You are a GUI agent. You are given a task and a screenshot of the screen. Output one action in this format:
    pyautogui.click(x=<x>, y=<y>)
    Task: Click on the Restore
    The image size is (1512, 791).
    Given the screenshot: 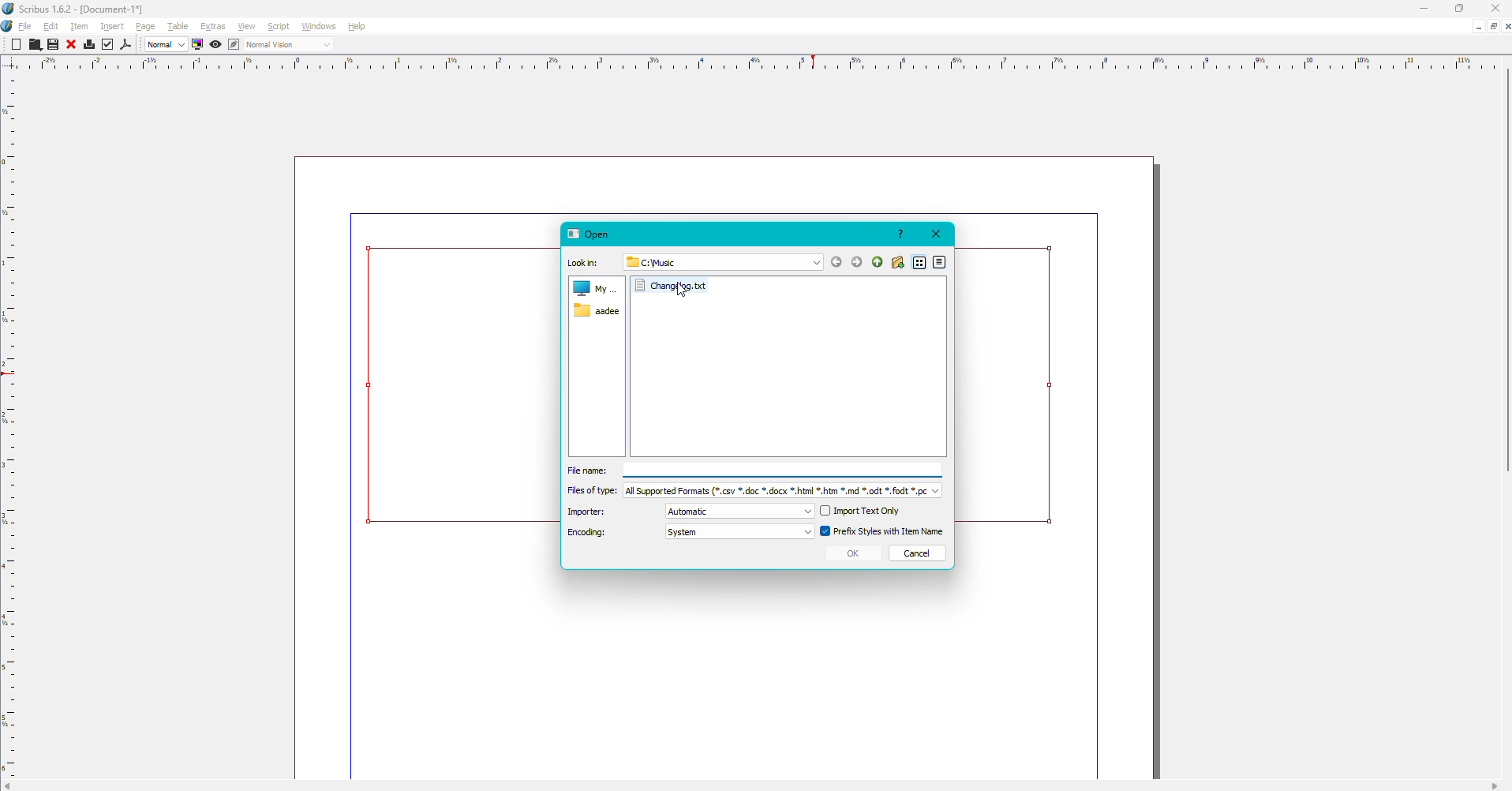 What is the action you would take?
    pyautogui.click(x=1457, y=9)
    